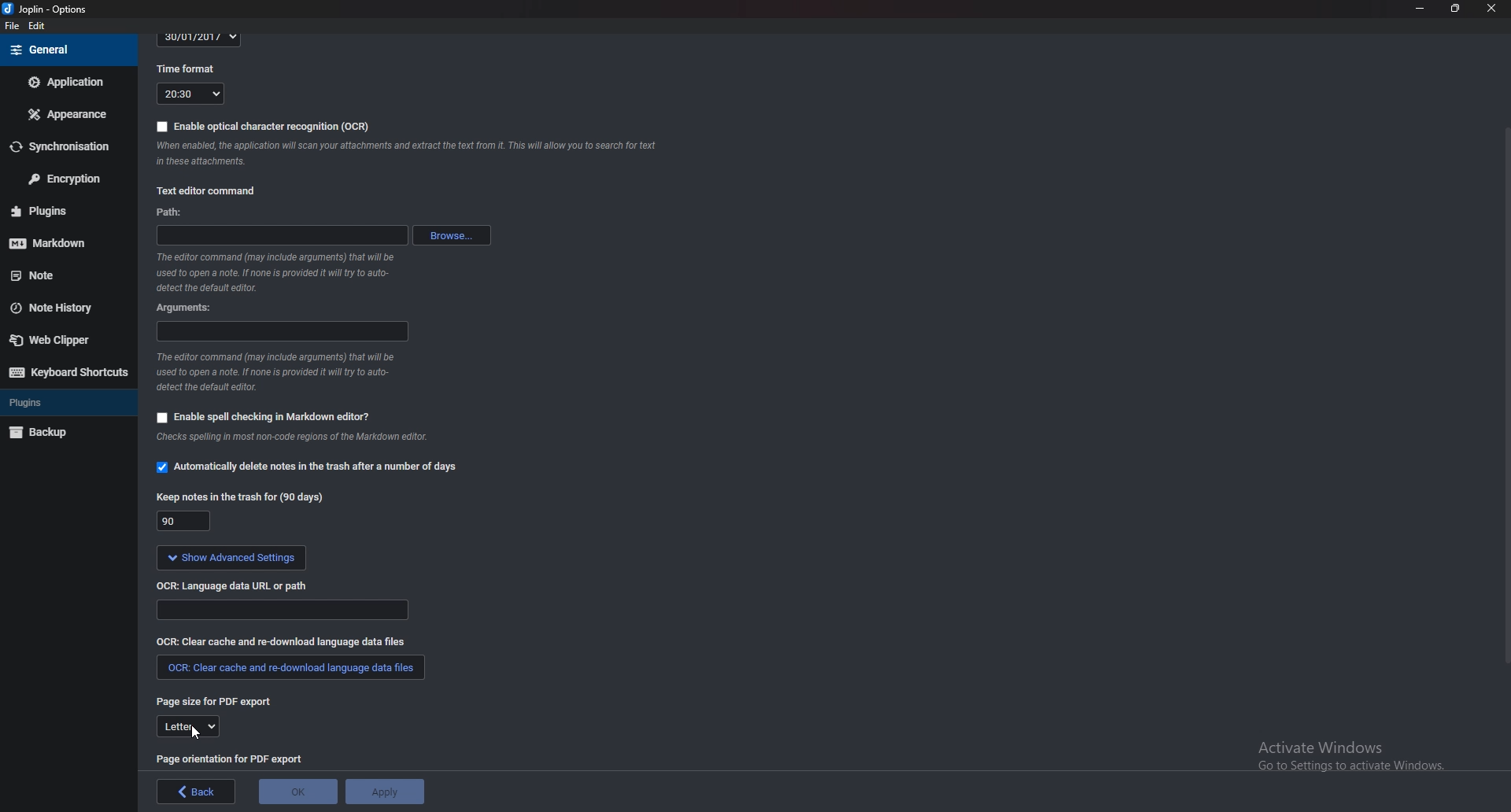  What do you see at coordinates (67, 50) in the screenshot?
I see `general` at bounding box center [67, 50].